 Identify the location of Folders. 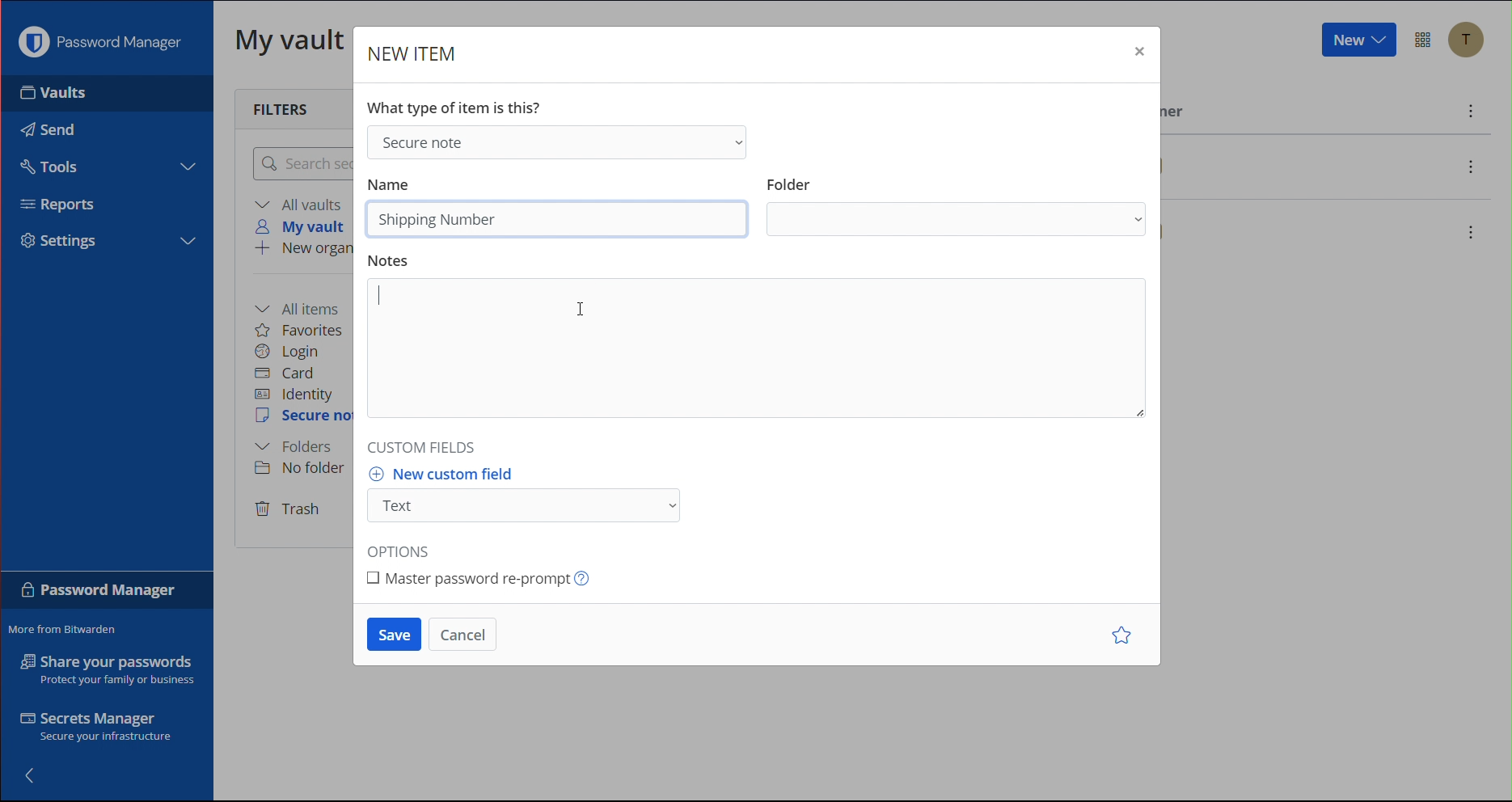
(298, 446).